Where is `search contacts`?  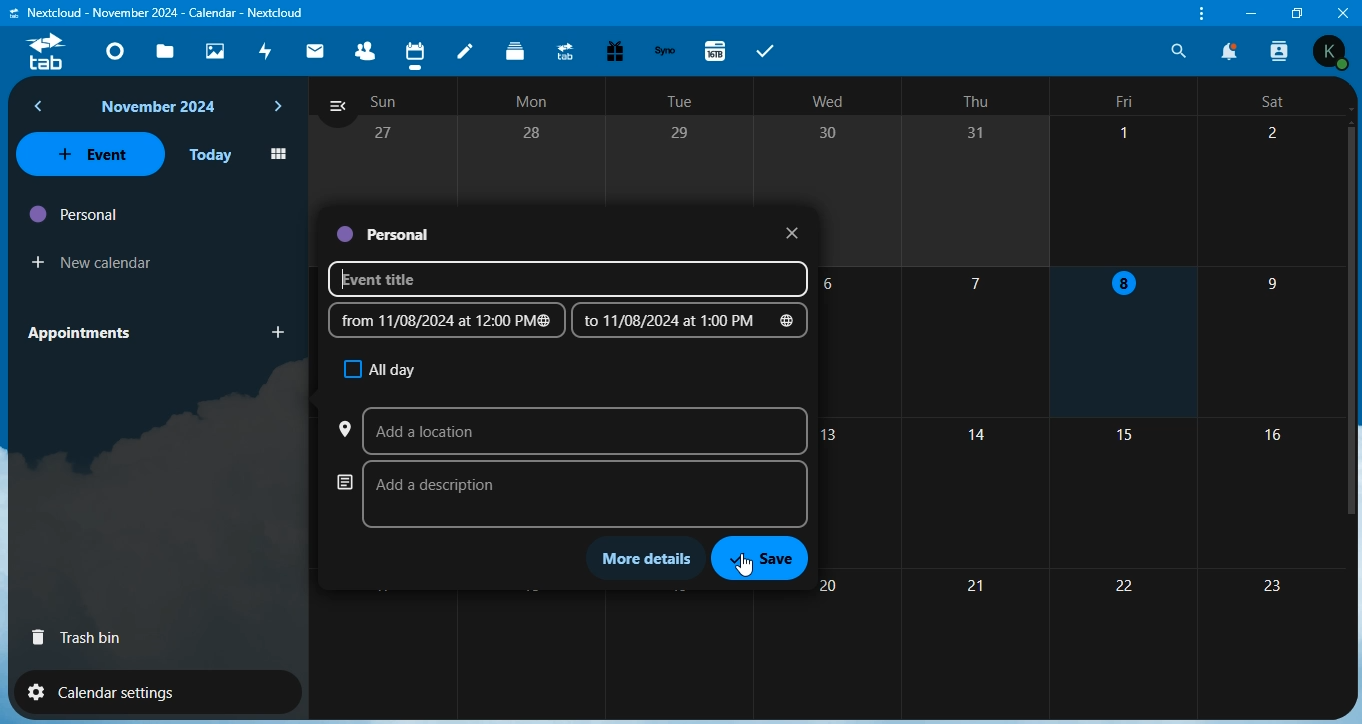
search contacts is located at coordinates (1283, 54).